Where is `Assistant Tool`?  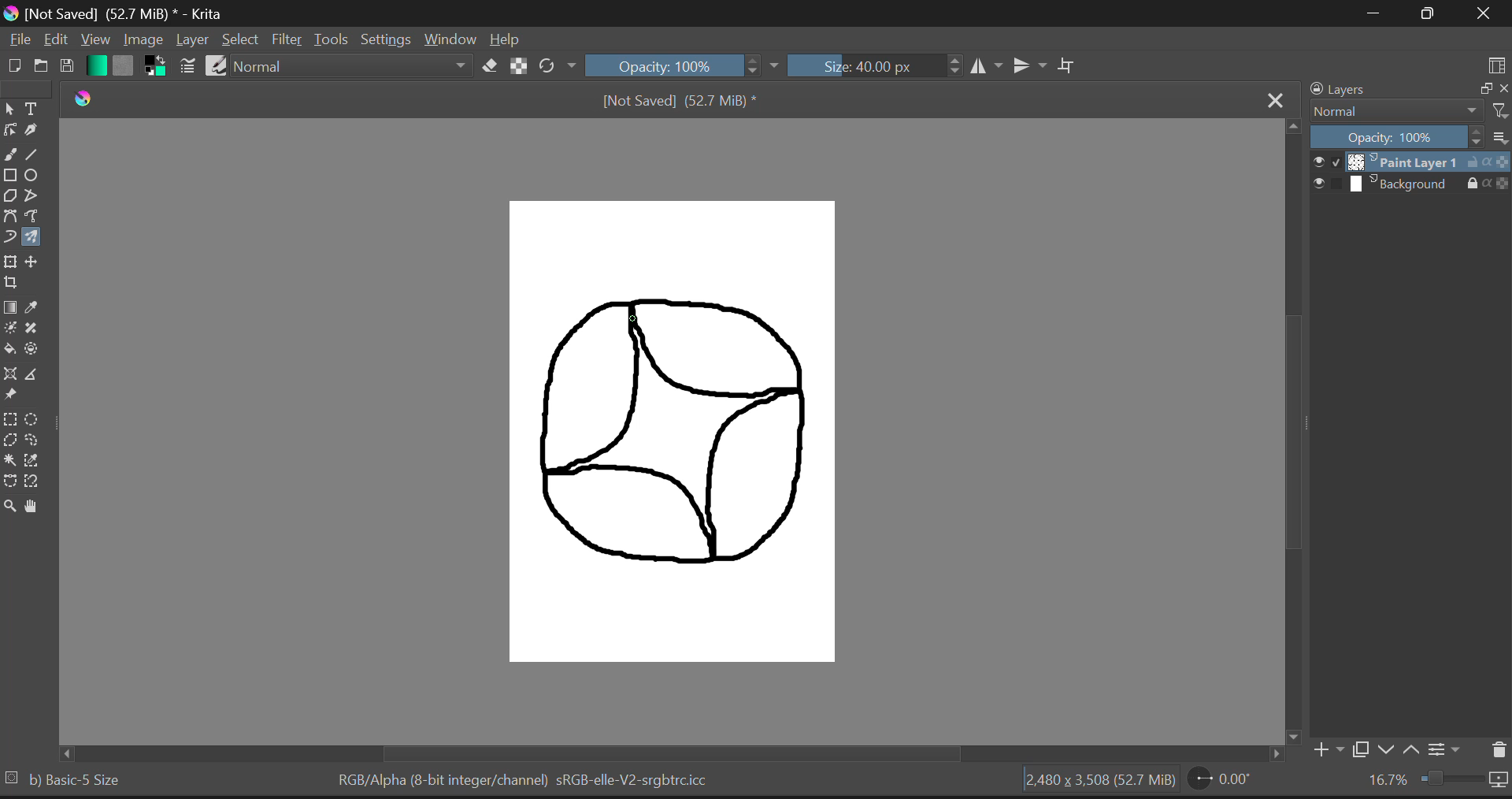 Assistant Tool is located at coordinates (9, 374).